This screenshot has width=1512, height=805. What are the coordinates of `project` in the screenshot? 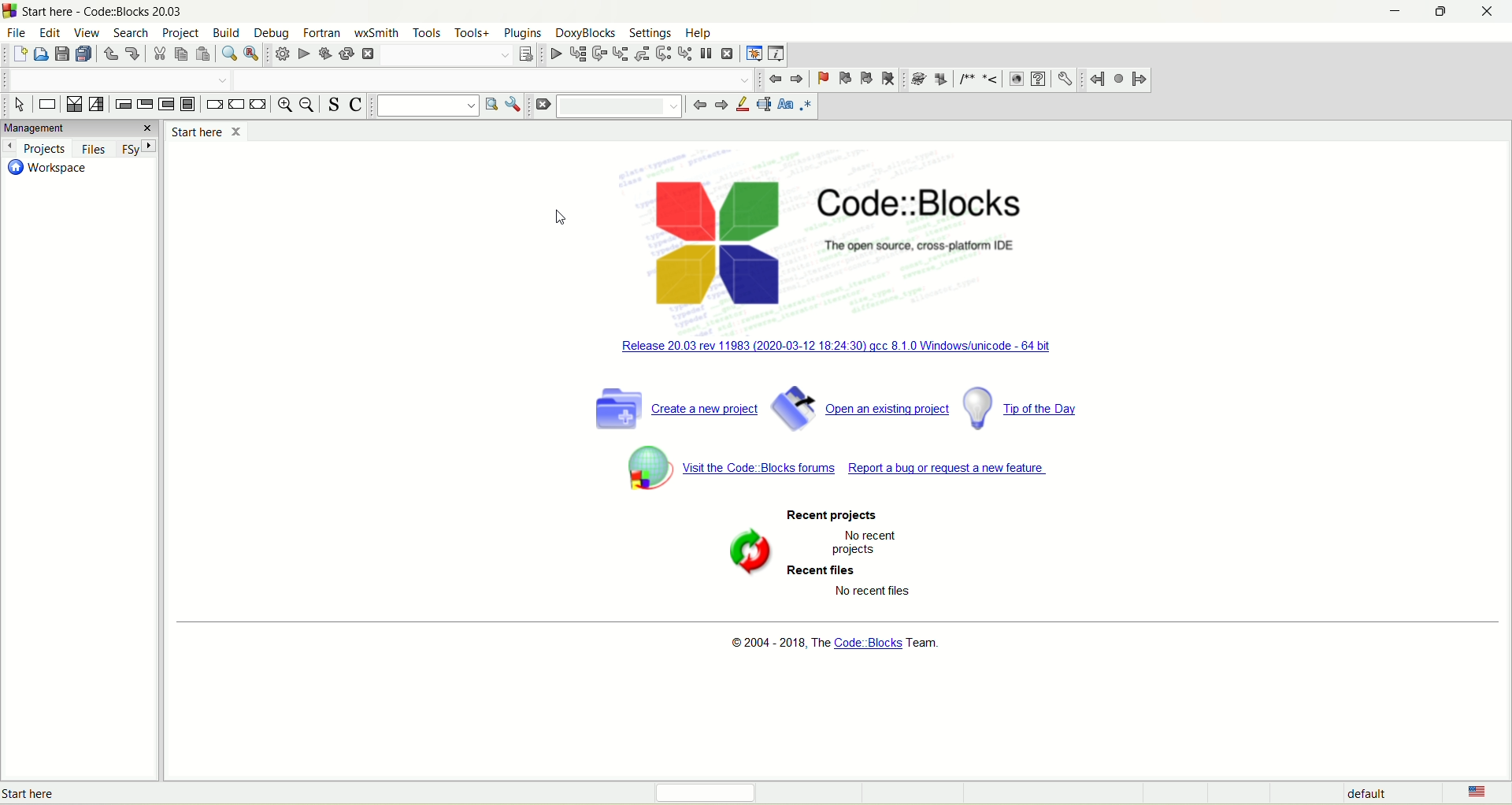 It's located at (181, 34).